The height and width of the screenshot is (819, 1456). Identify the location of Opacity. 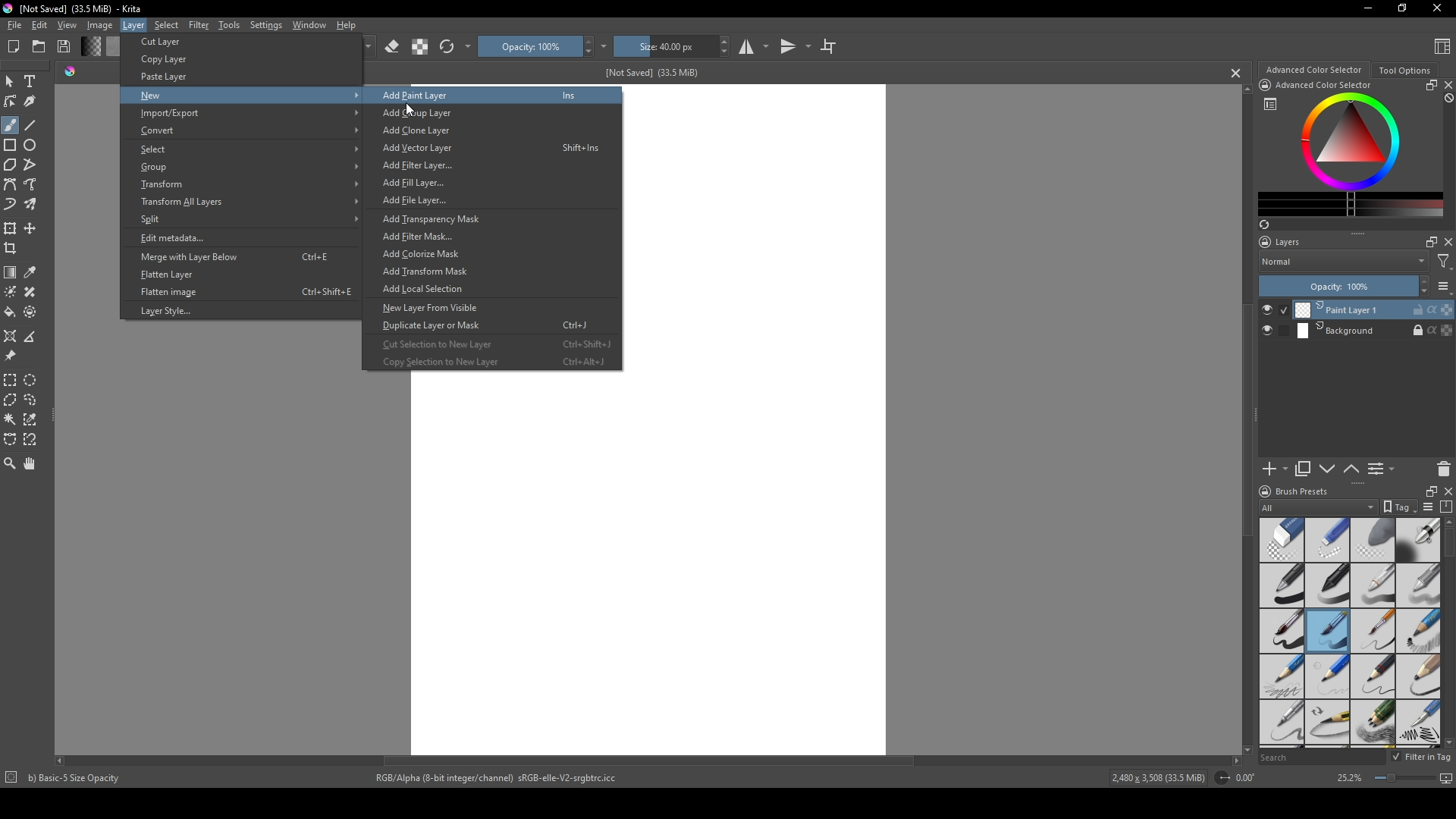
(529, 46).